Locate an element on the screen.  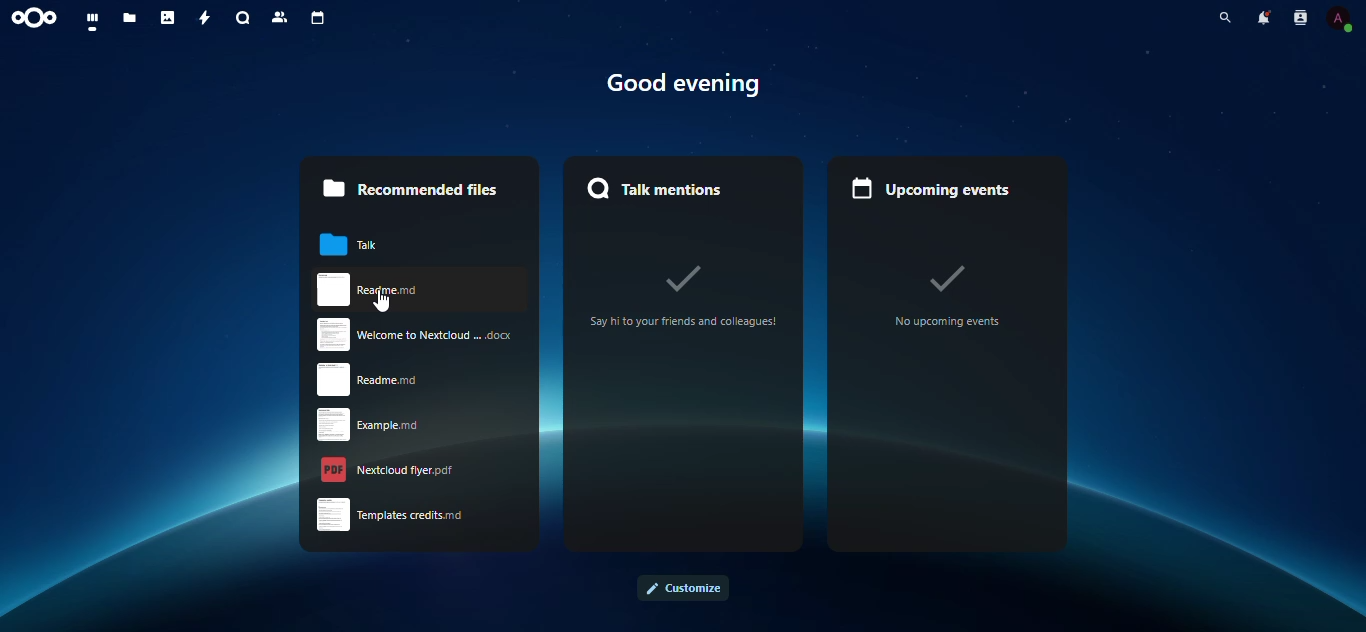
recommended files is located at coordinates (408, 188).